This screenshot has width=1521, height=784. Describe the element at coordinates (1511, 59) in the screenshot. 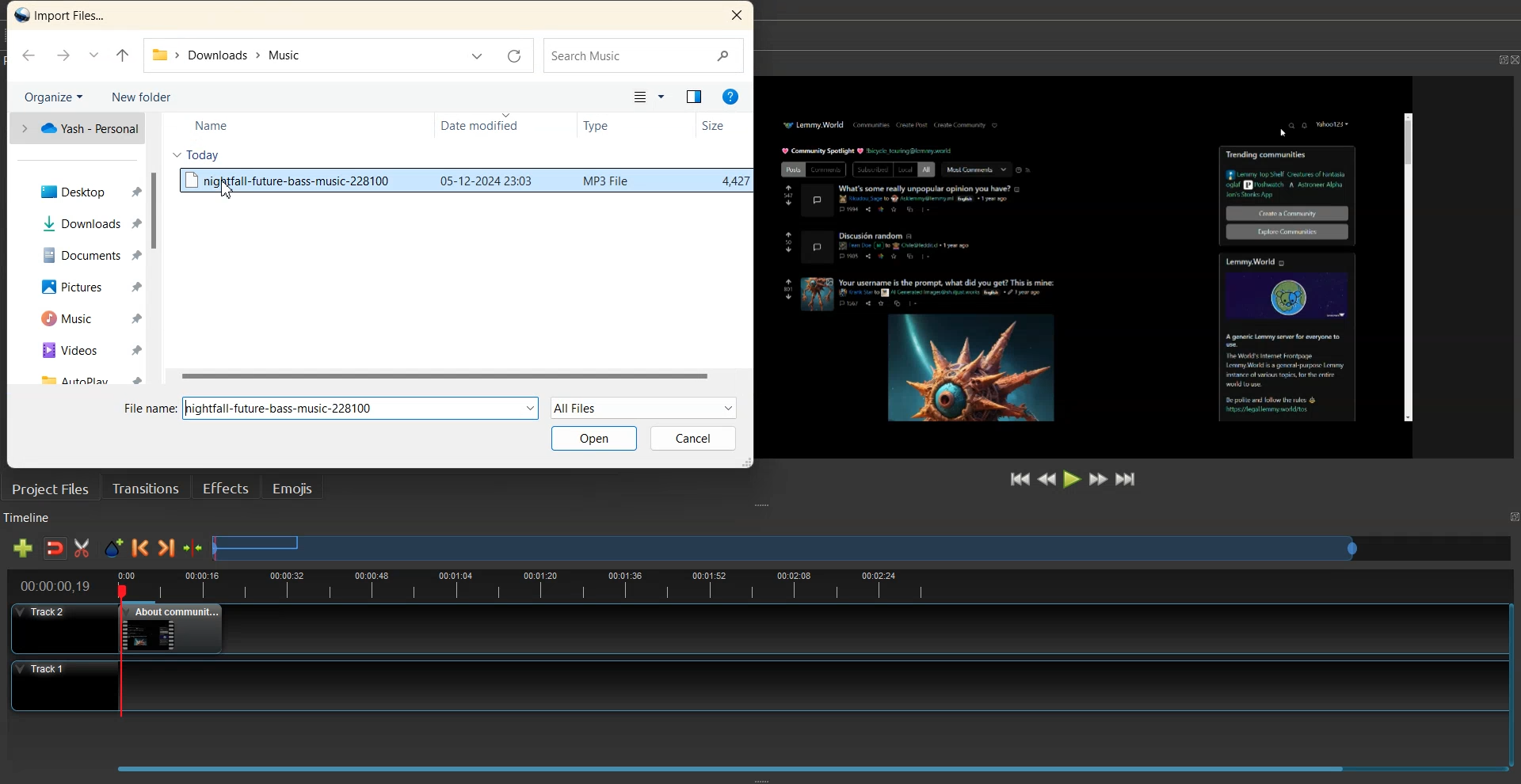

I see `Close` at that location.